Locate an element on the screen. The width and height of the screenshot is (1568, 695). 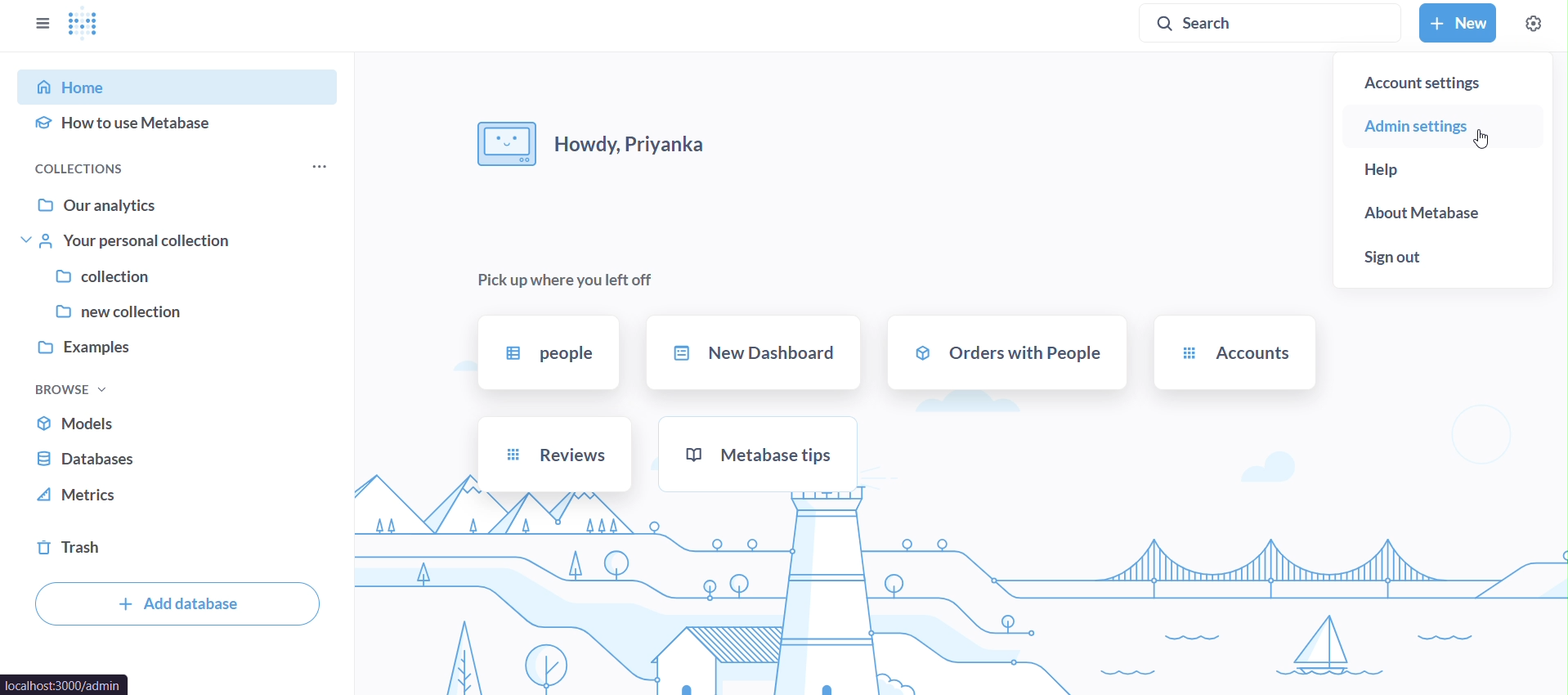
metabase tips is located at coordinates (760, 452).